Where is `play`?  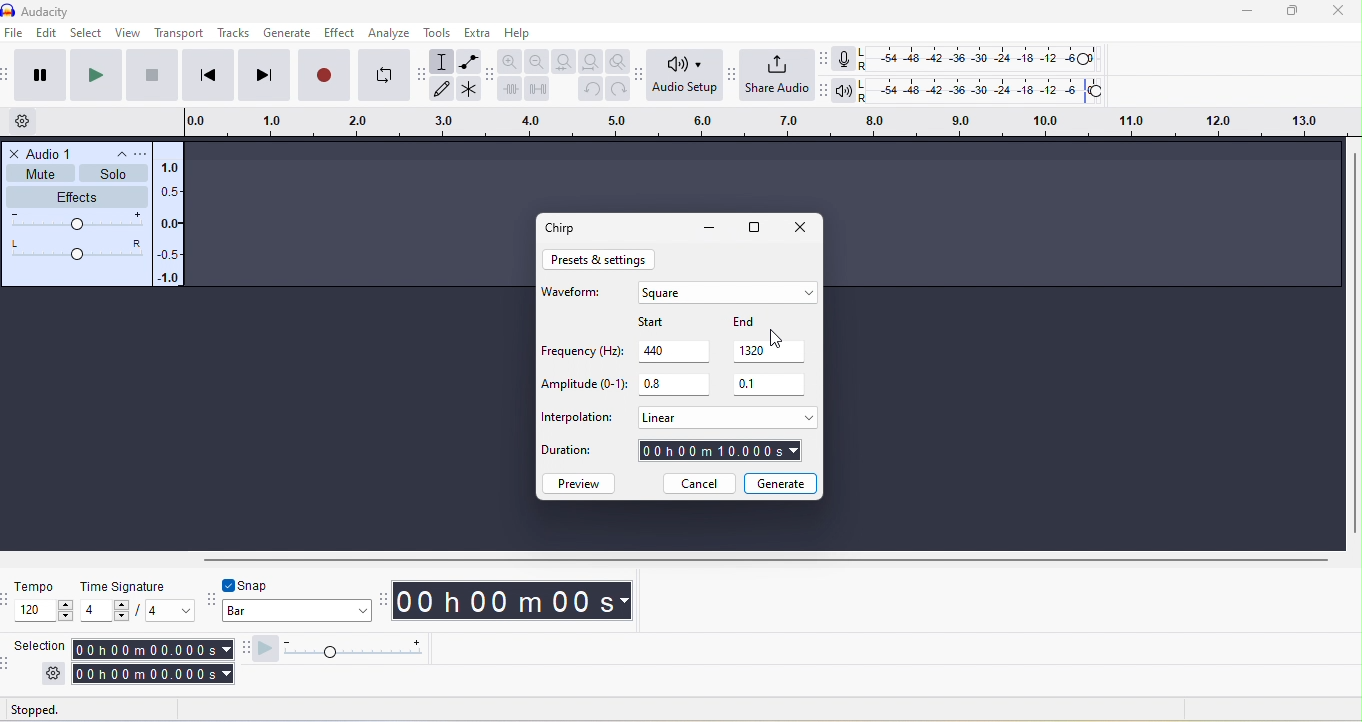
play is located at coordinates (98, 76).